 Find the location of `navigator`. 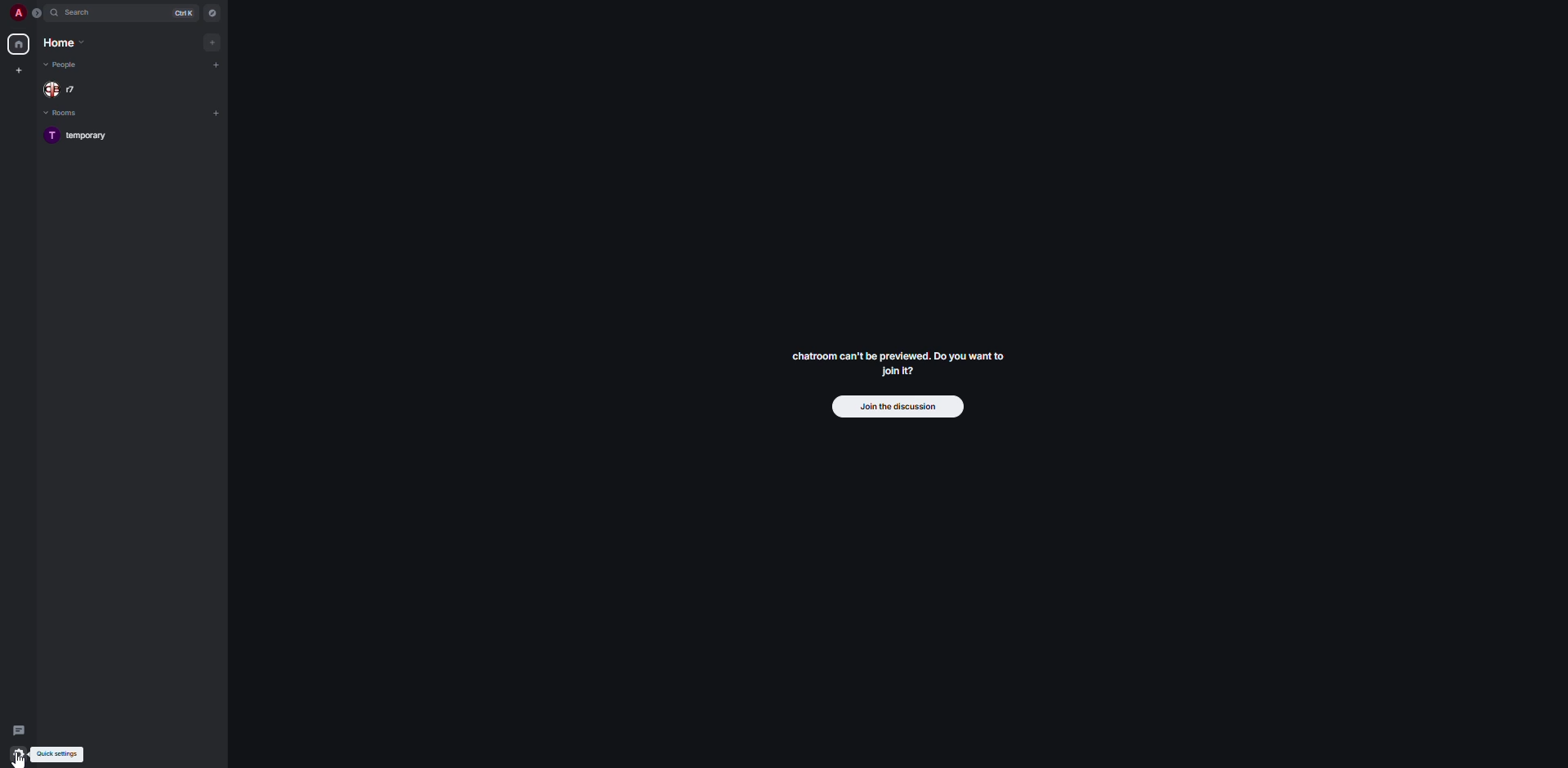

navigator is located at coordinates (212, 12).